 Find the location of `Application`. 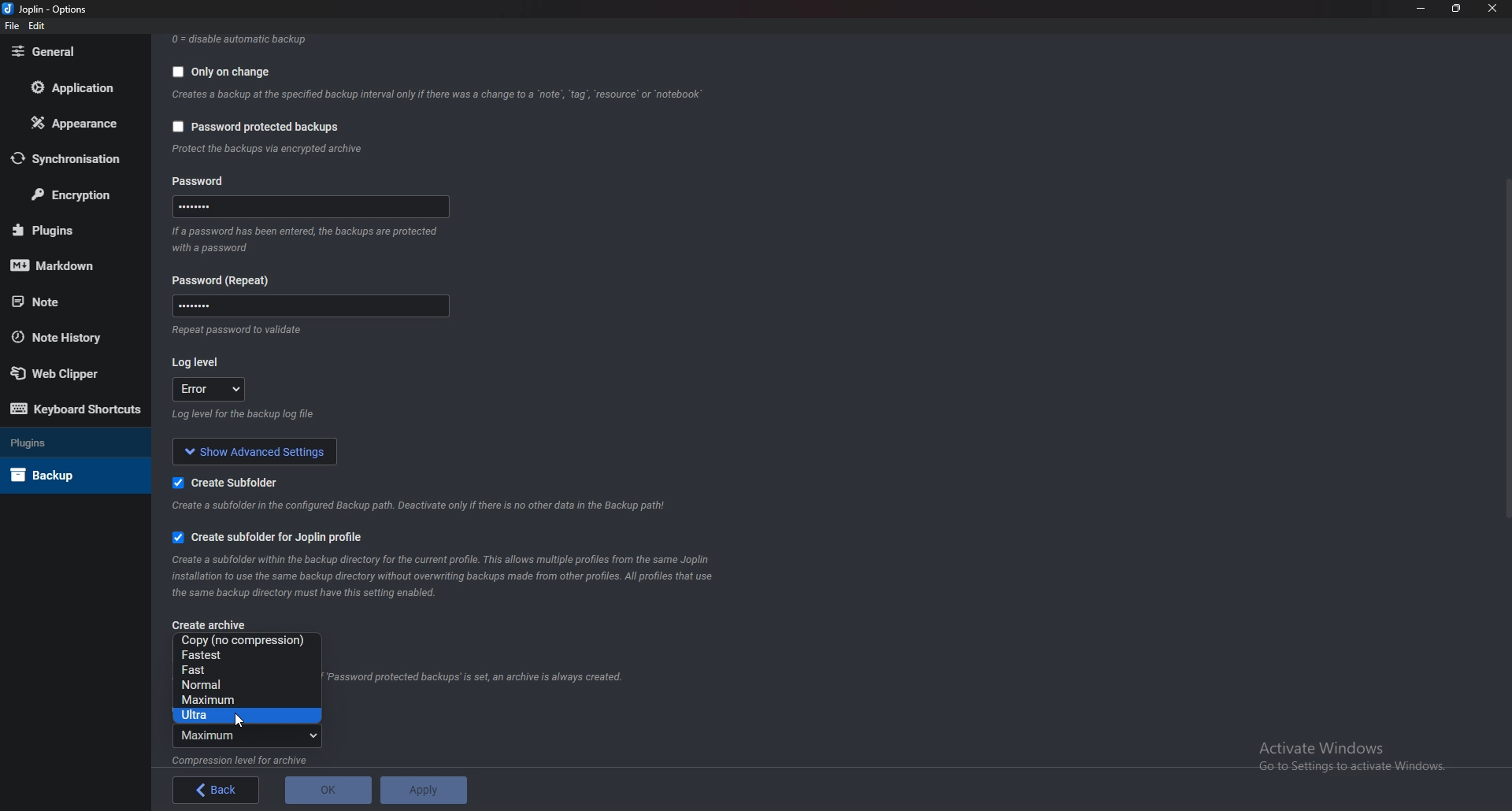

Application is located at coordinates (75, 87).